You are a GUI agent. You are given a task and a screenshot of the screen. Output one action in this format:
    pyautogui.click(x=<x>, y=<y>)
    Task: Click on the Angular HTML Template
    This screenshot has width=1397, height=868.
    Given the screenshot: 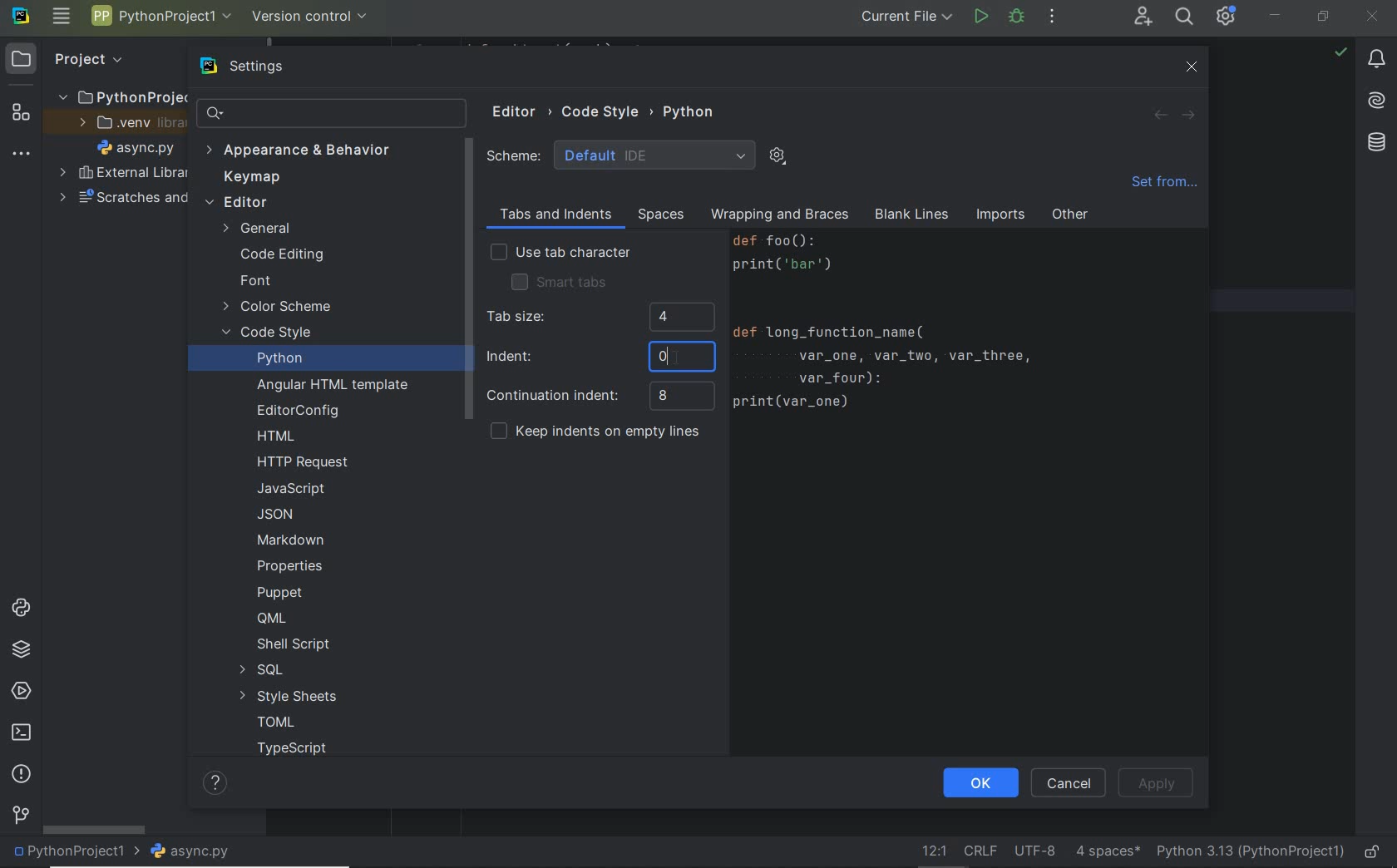 What is the action you would take?
    pyautogui.click(x=333, y=387)
    